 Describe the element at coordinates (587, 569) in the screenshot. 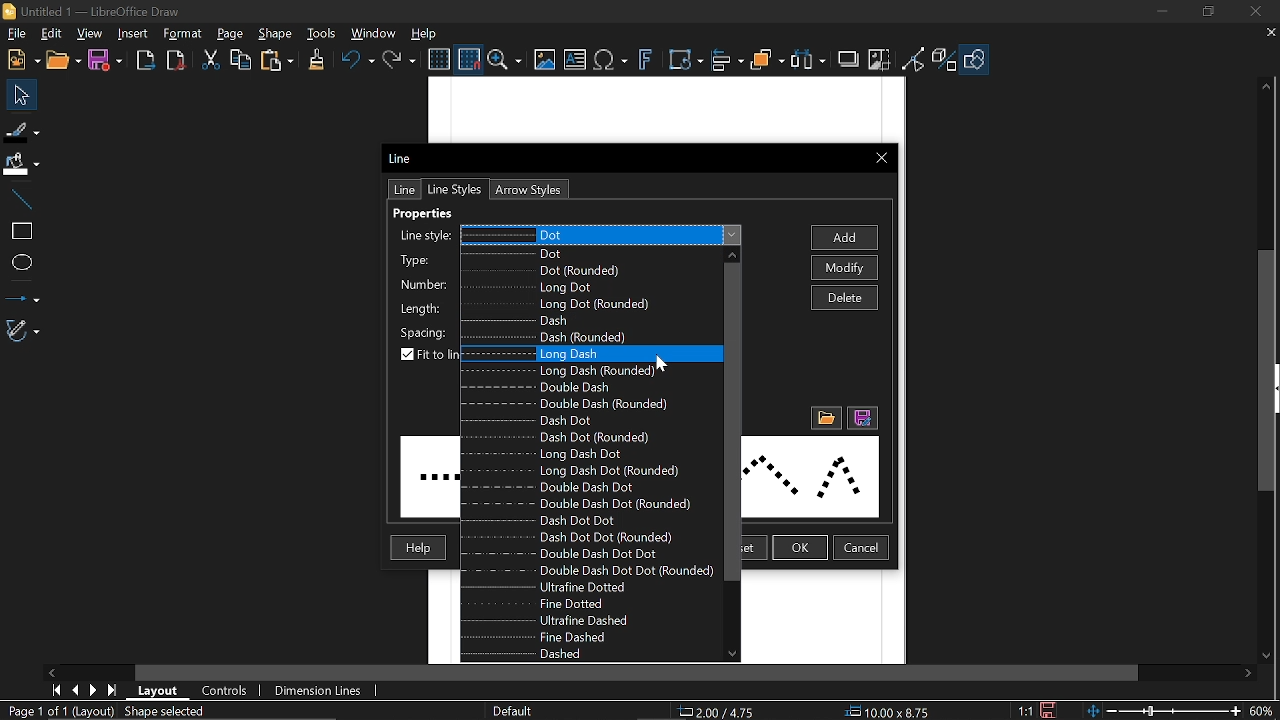

I see `Double dash dot dot (rounded)` at that location.